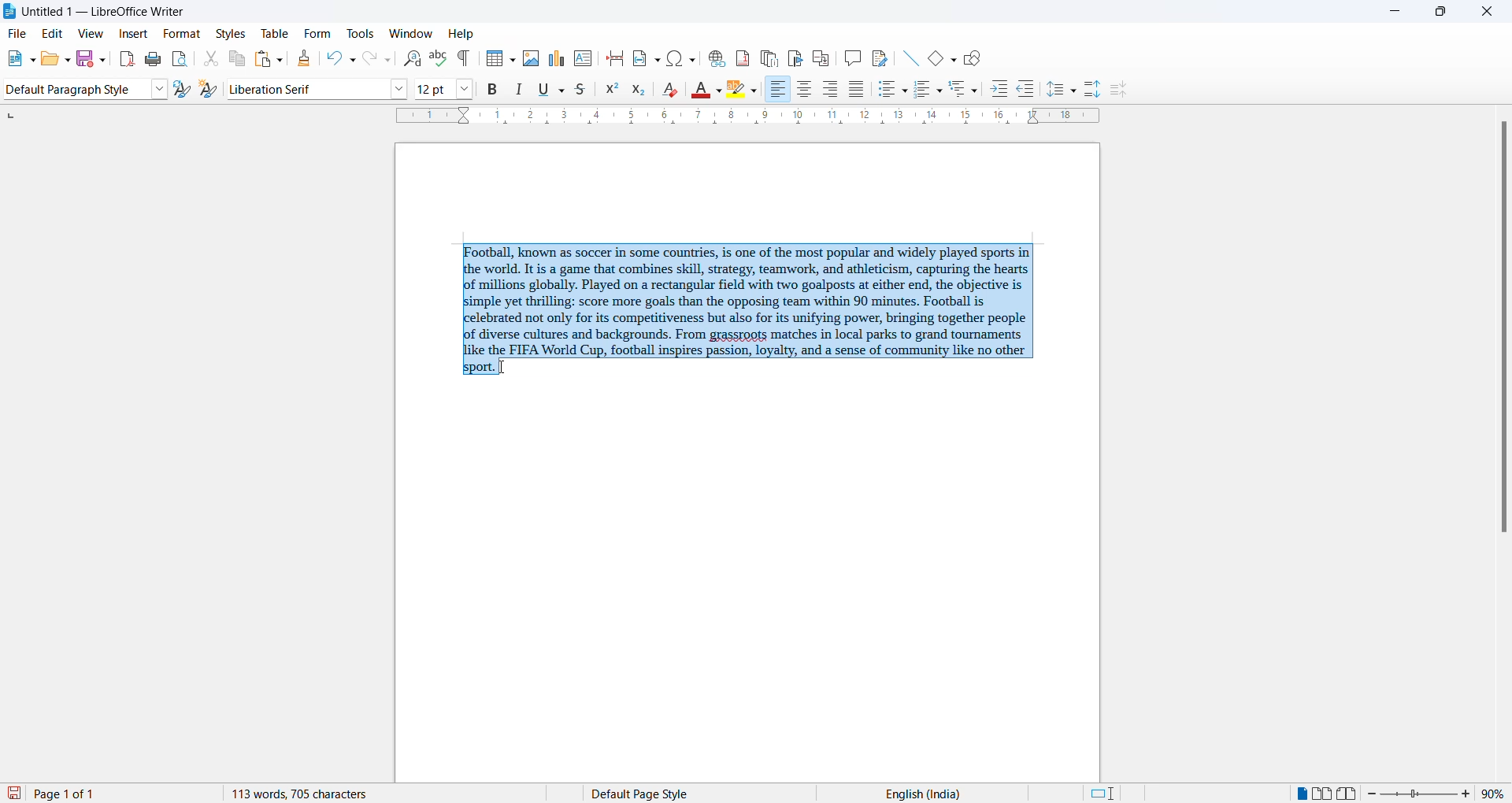 The width and height of the screenshot is (1512, 803). What do you see at coordinates (154, 58) in the screenshot?
I see `print` at bounding box center [154, 58].